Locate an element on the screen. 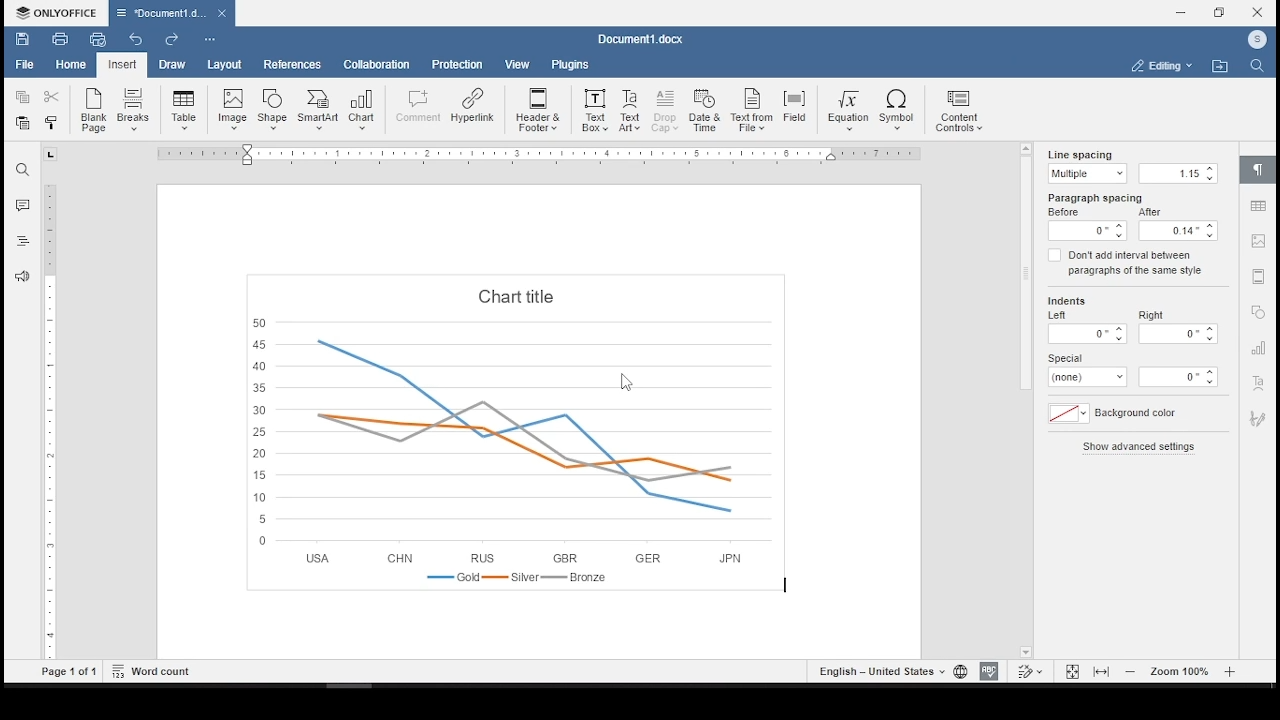 The height and width of the screenshot is (720, 1280). feedback & support is located at coordinates (22, 276).